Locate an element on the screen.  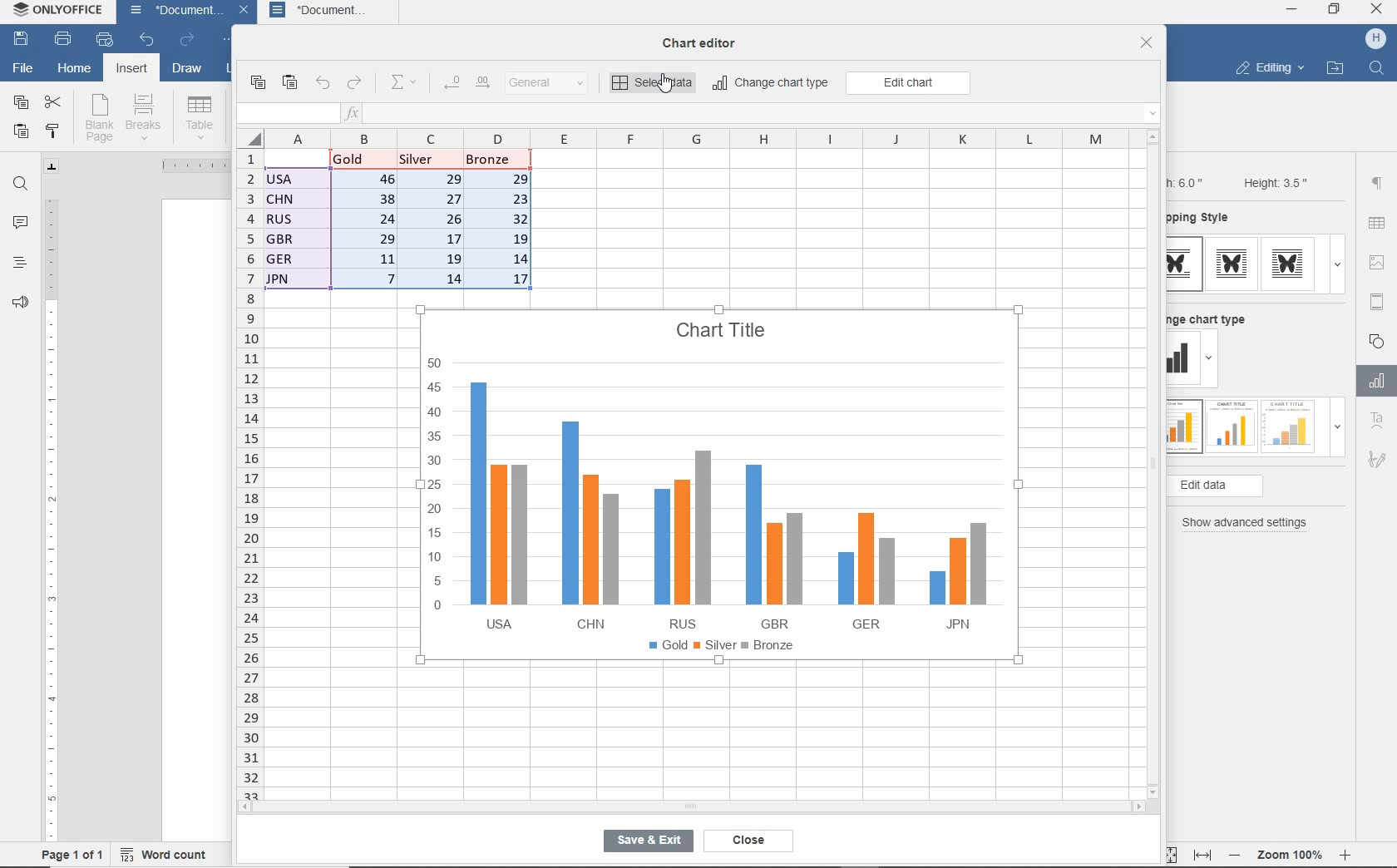
image is located at coordinates (1377, 262).